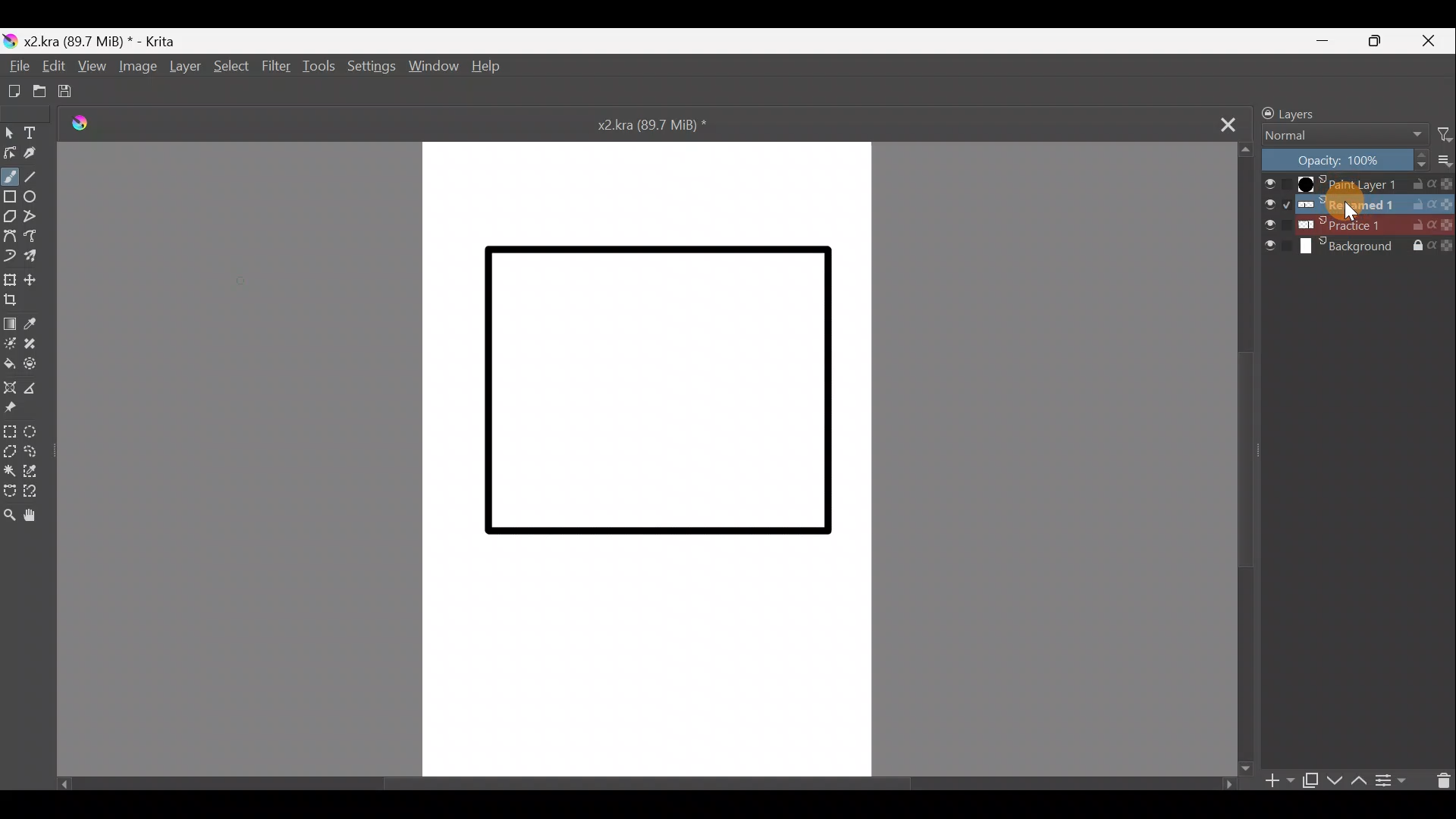  Describe the element at coordinates (42, 388) in the screenshot. I see `Measure distance between two points` at that location.